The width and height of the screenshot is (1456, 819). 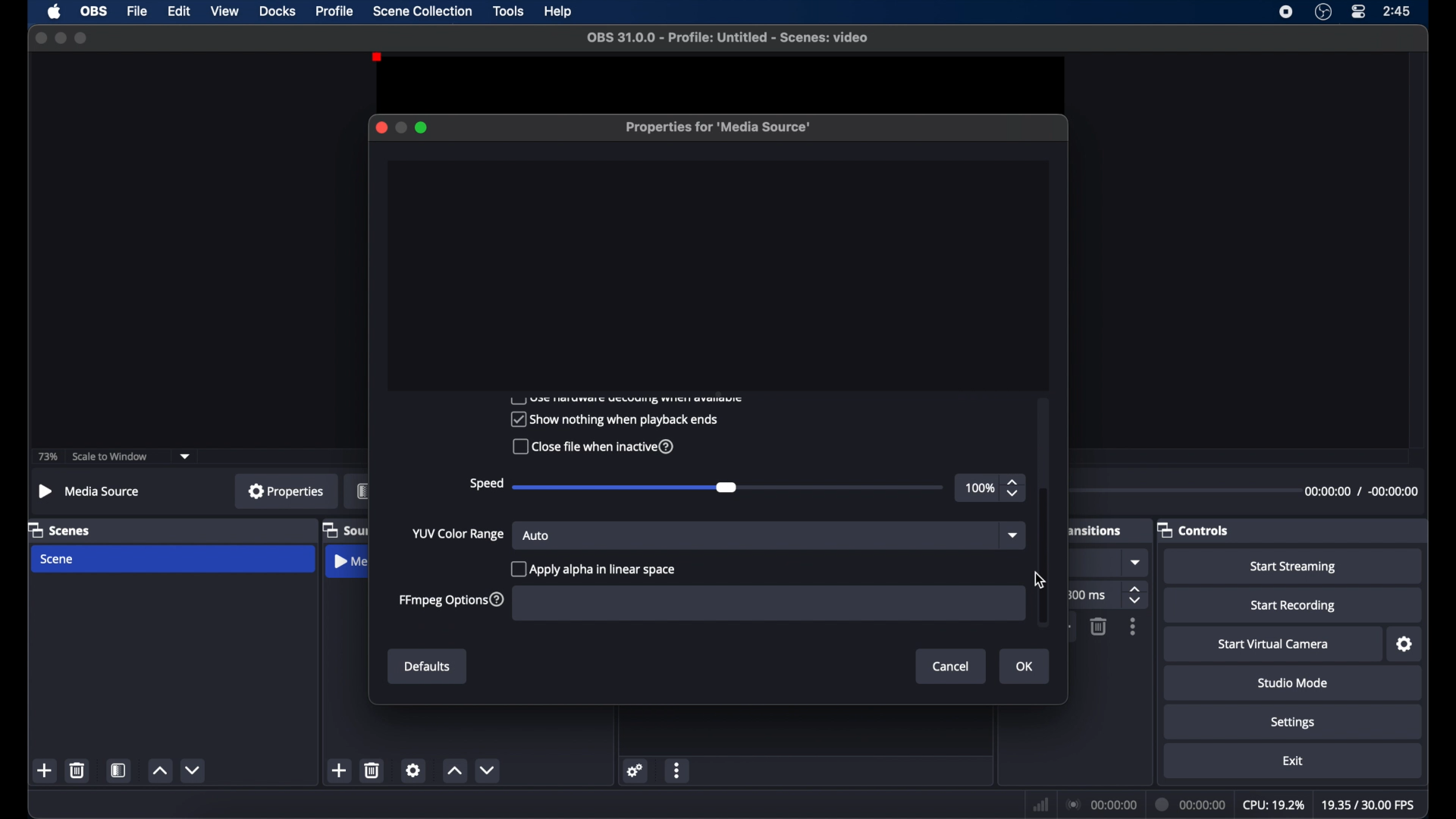 I want to click on increment, so click(x=159, y=771).